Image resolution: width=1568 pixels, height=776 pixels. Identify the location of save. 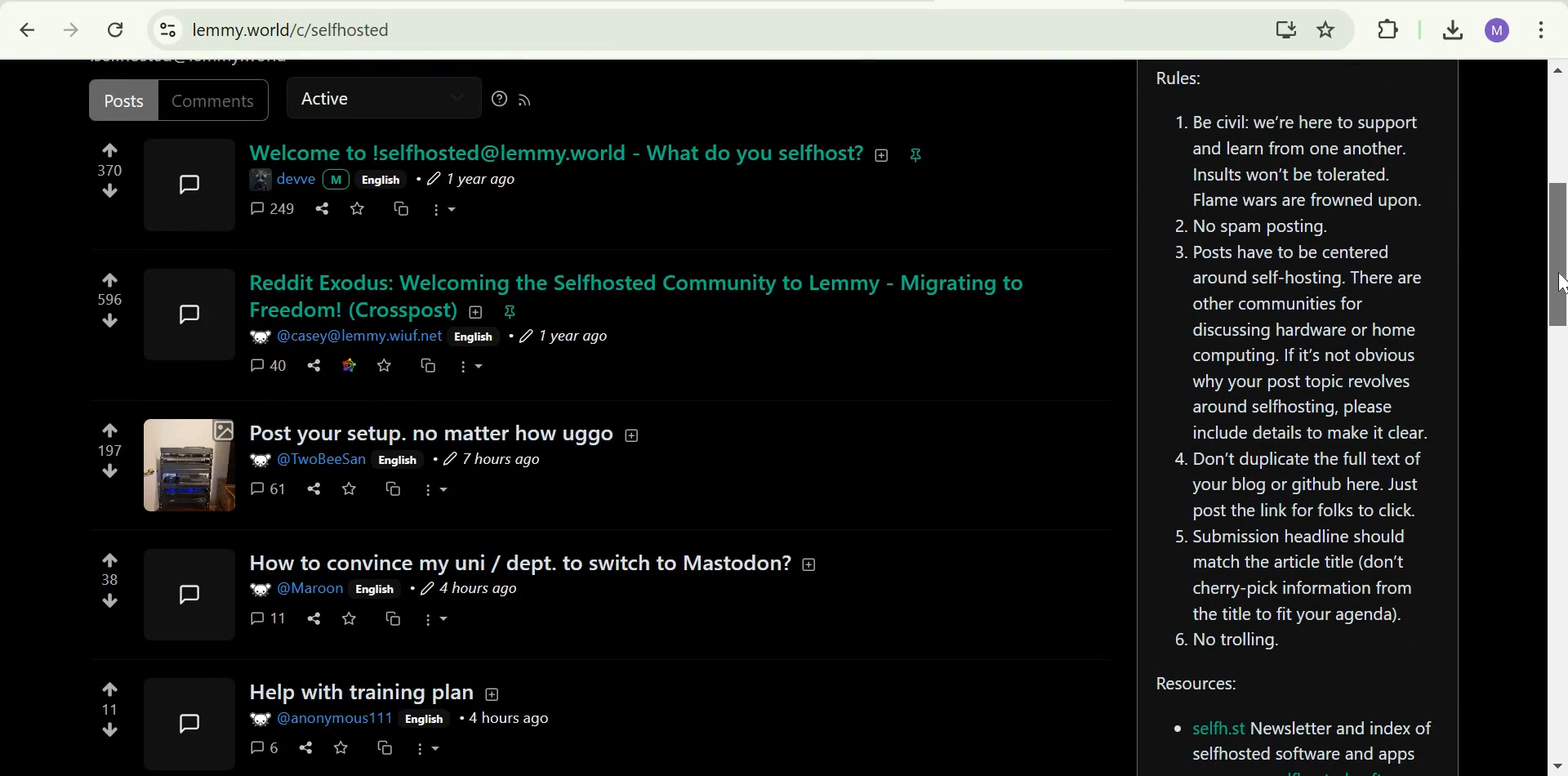
(357, 210).